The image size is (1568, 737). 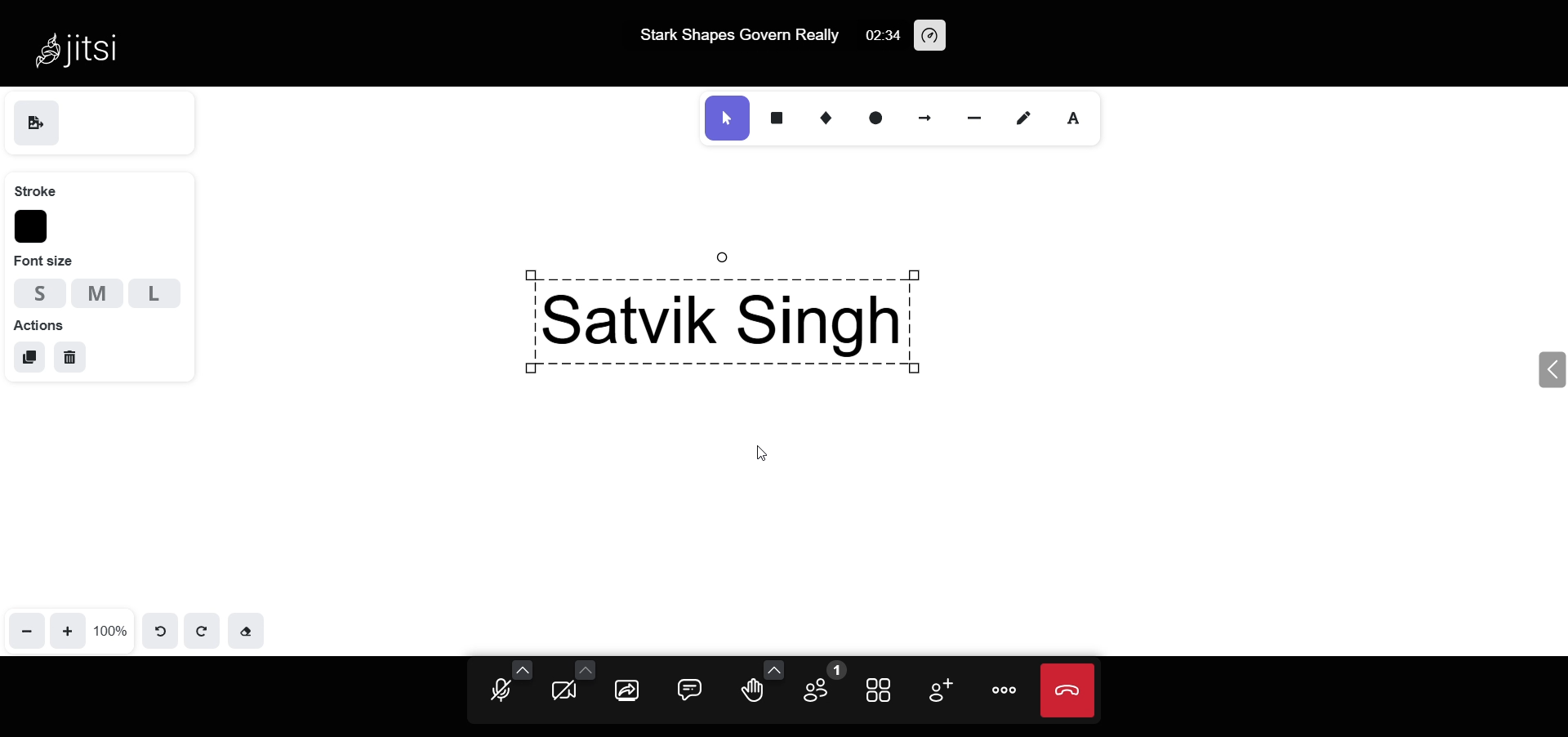 I want to click on select, so click(x=726, y=118).